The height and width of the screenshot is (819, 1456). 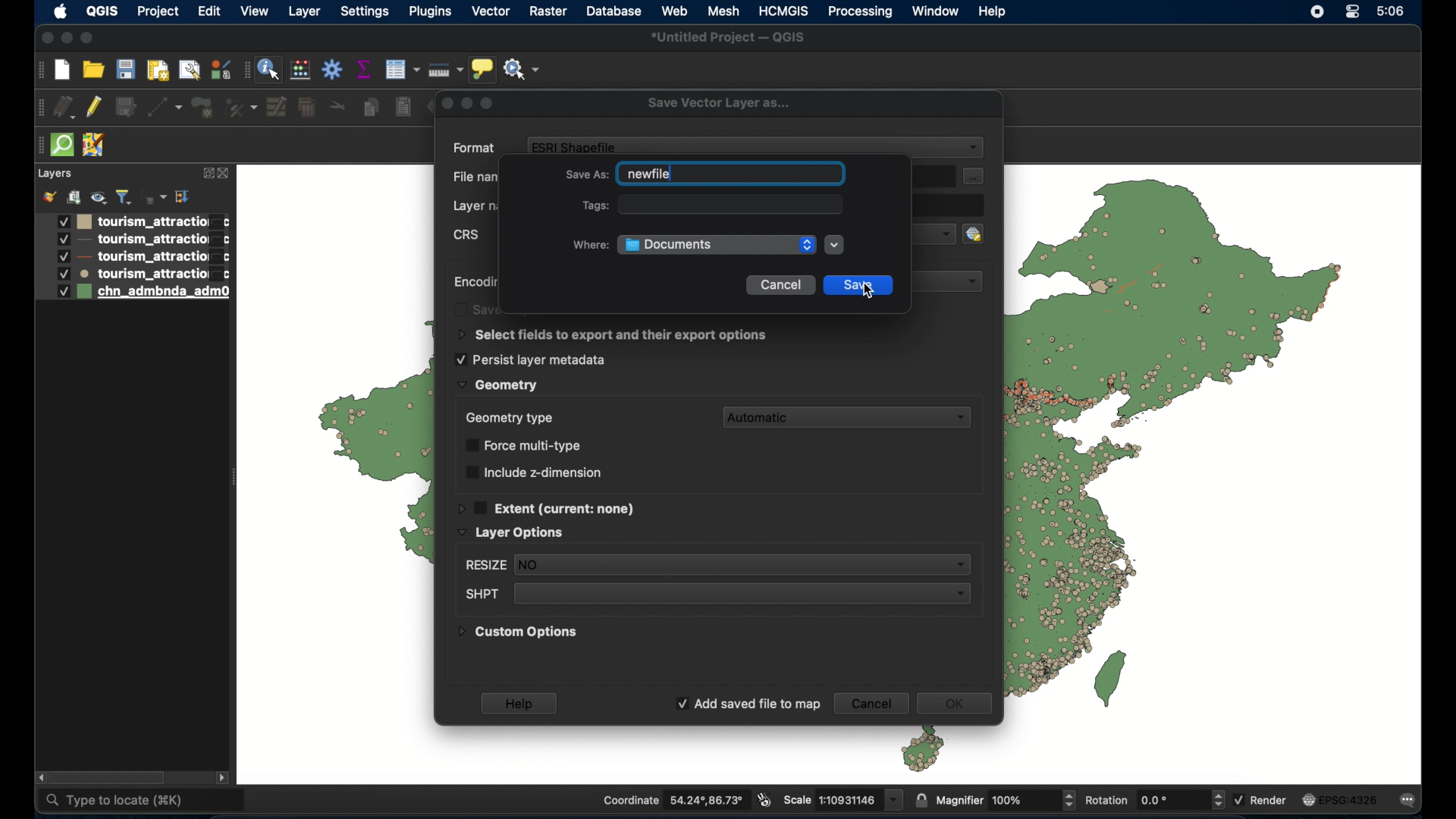 I want to click on save edits, so click(x=127, y=107).